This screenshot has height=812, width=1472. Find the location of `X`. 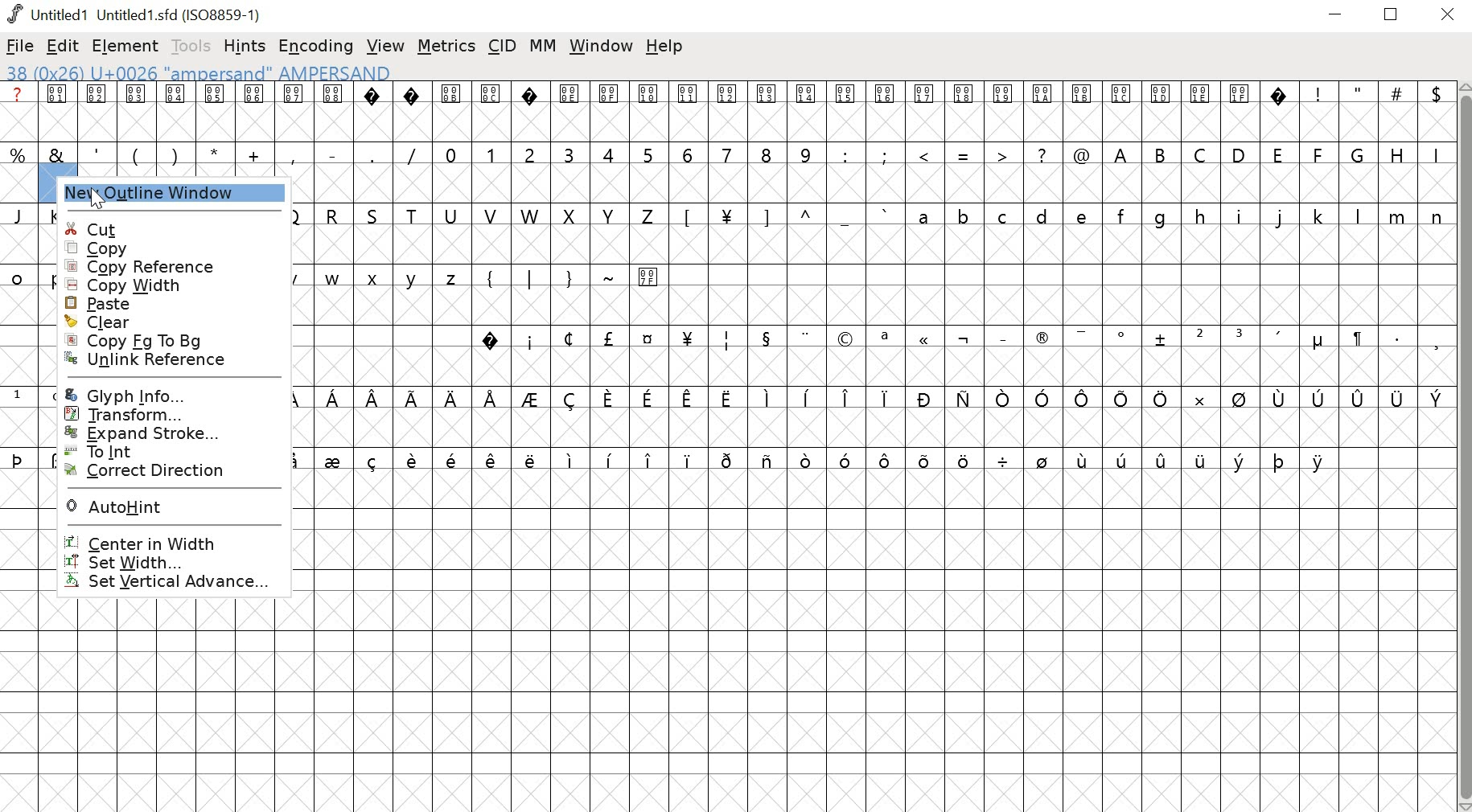

X is located at coordinates (572, 215).